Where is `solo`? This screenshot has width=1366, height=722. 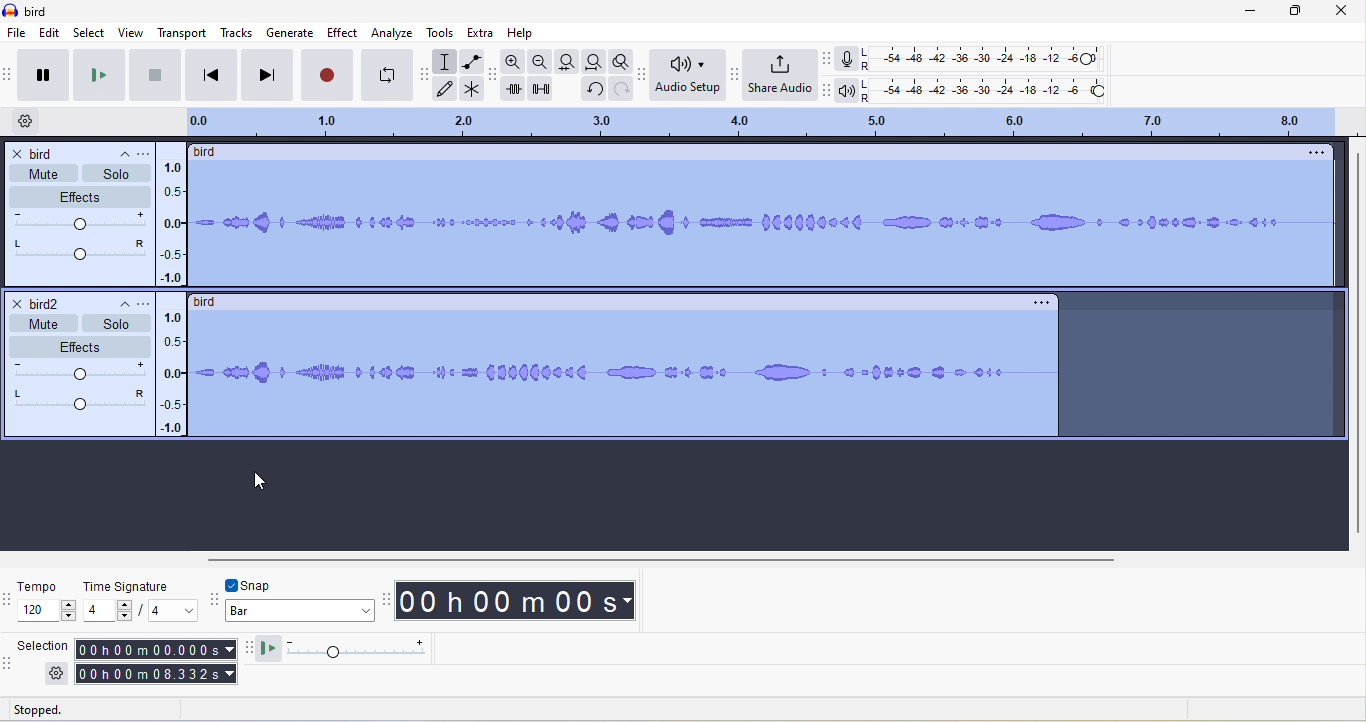
solo is located at coordinates (117, 322).